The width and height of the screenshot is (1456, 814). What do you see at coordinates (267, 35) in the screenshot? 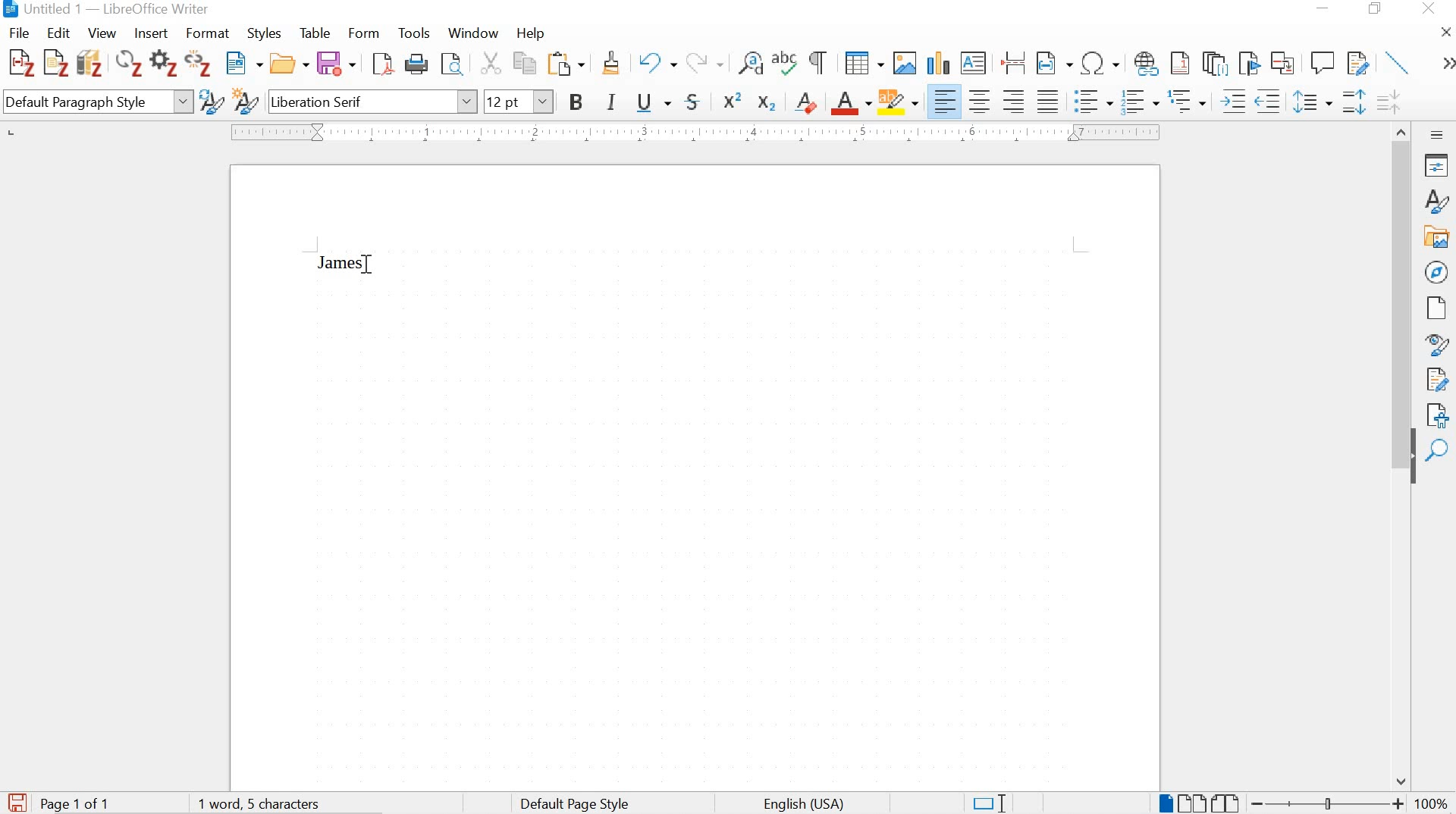
I see `styles` at bounding box center [267, 35].